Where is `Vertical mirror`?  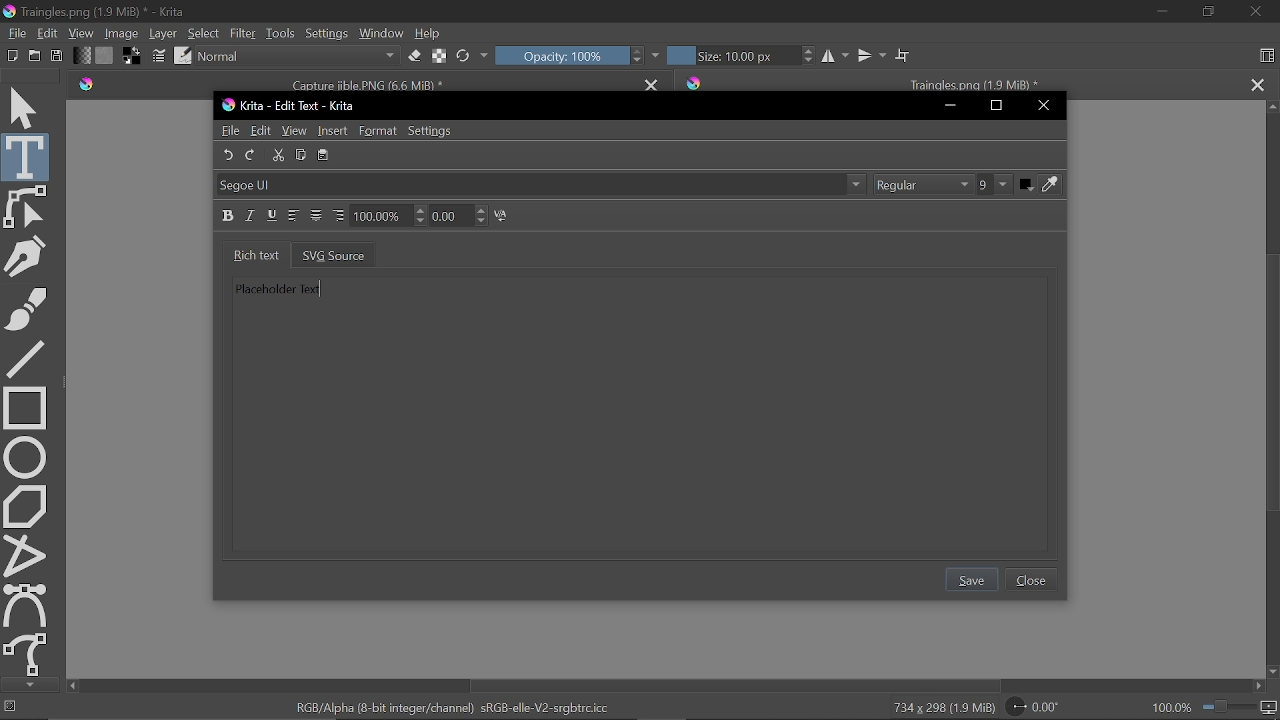 Vertical mirror is located at coordinates (870, 55).